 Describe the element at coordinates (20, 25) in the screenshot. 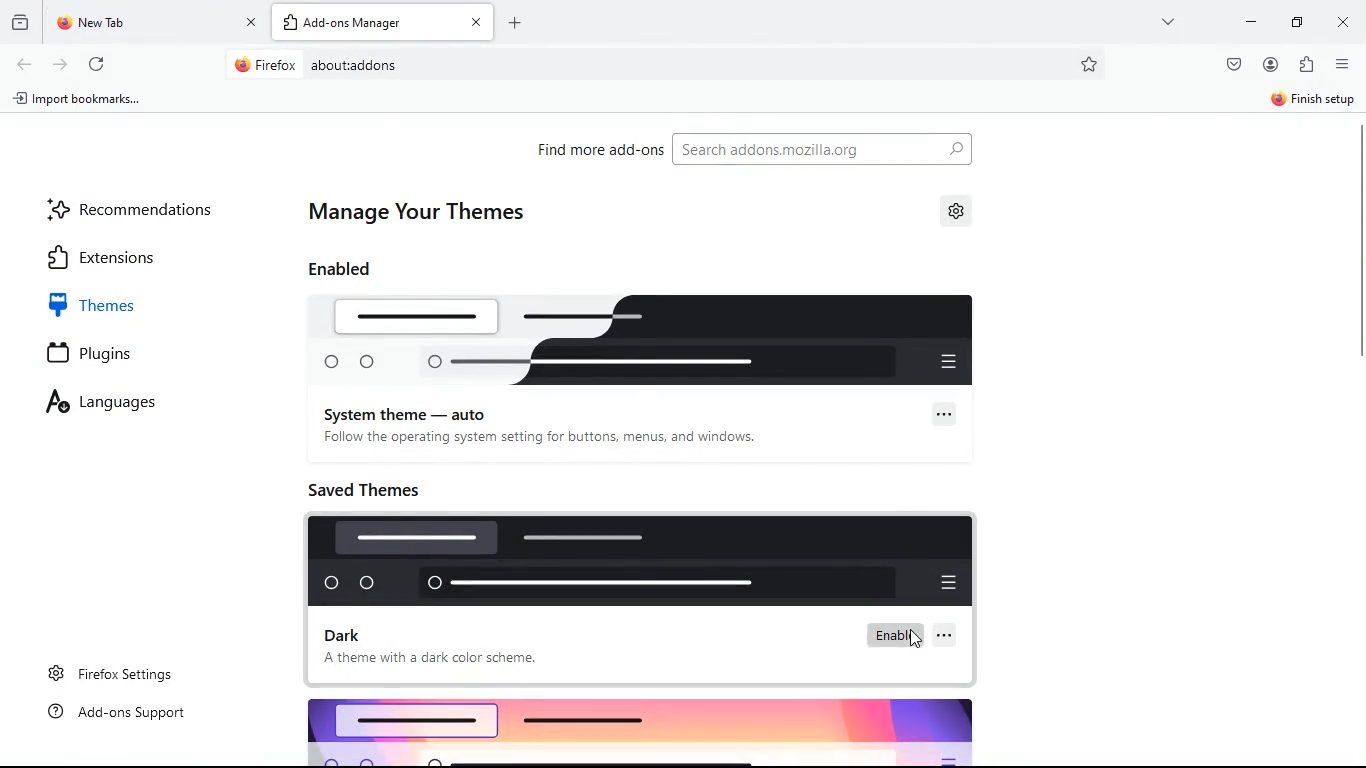

I see `history` at that location.